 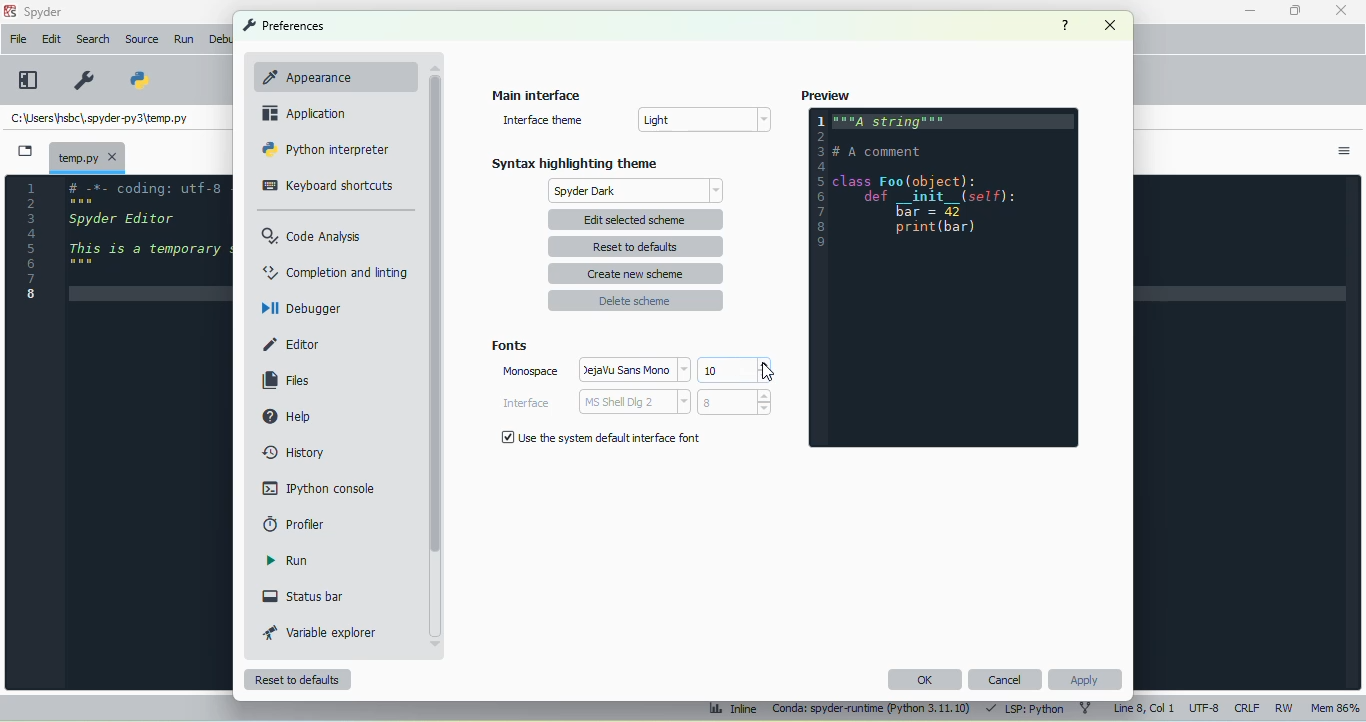 I want to click on logo, so click(x=9, y=11).